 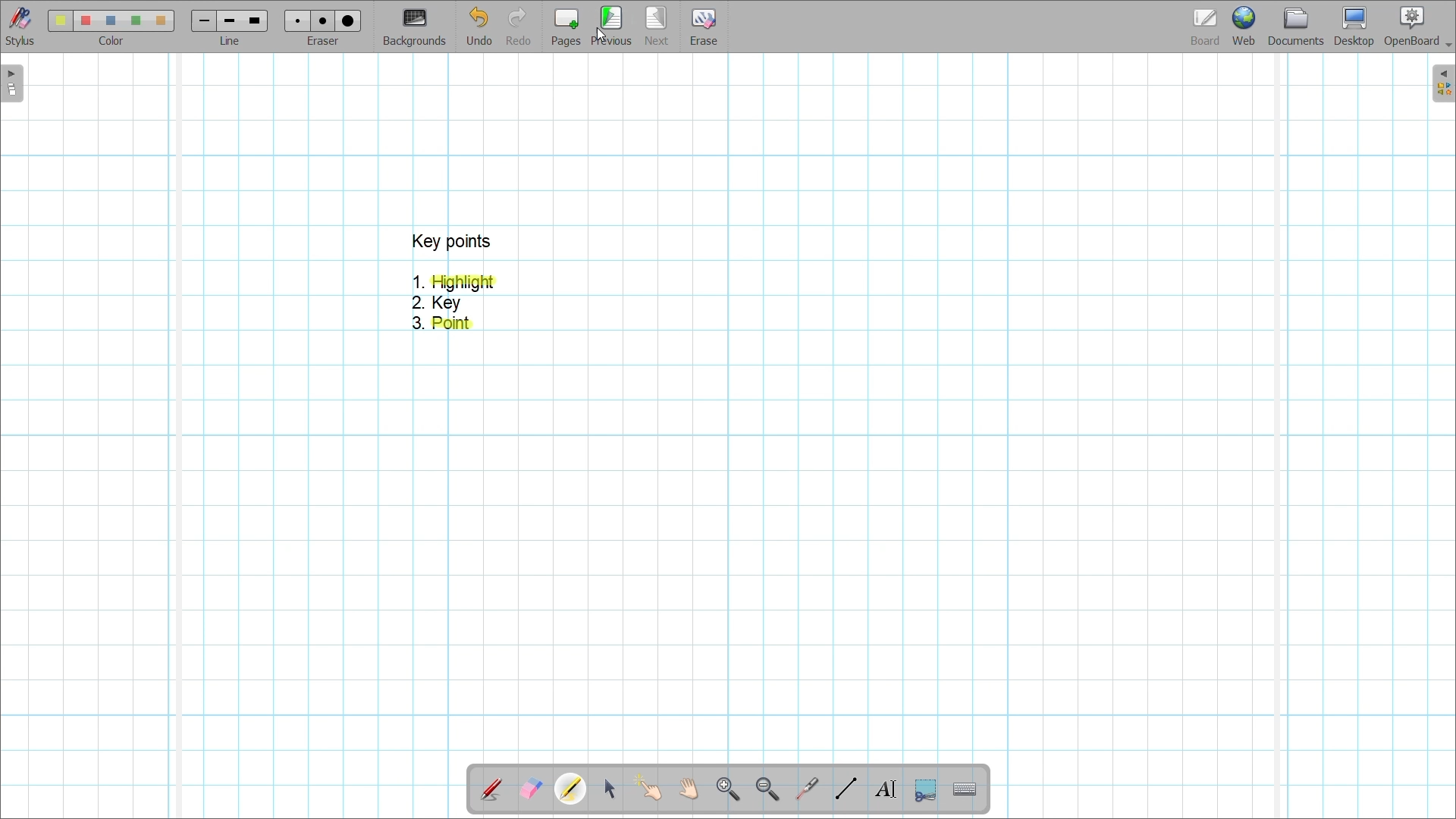 I want to click on color5, so click(x=159, y=21).